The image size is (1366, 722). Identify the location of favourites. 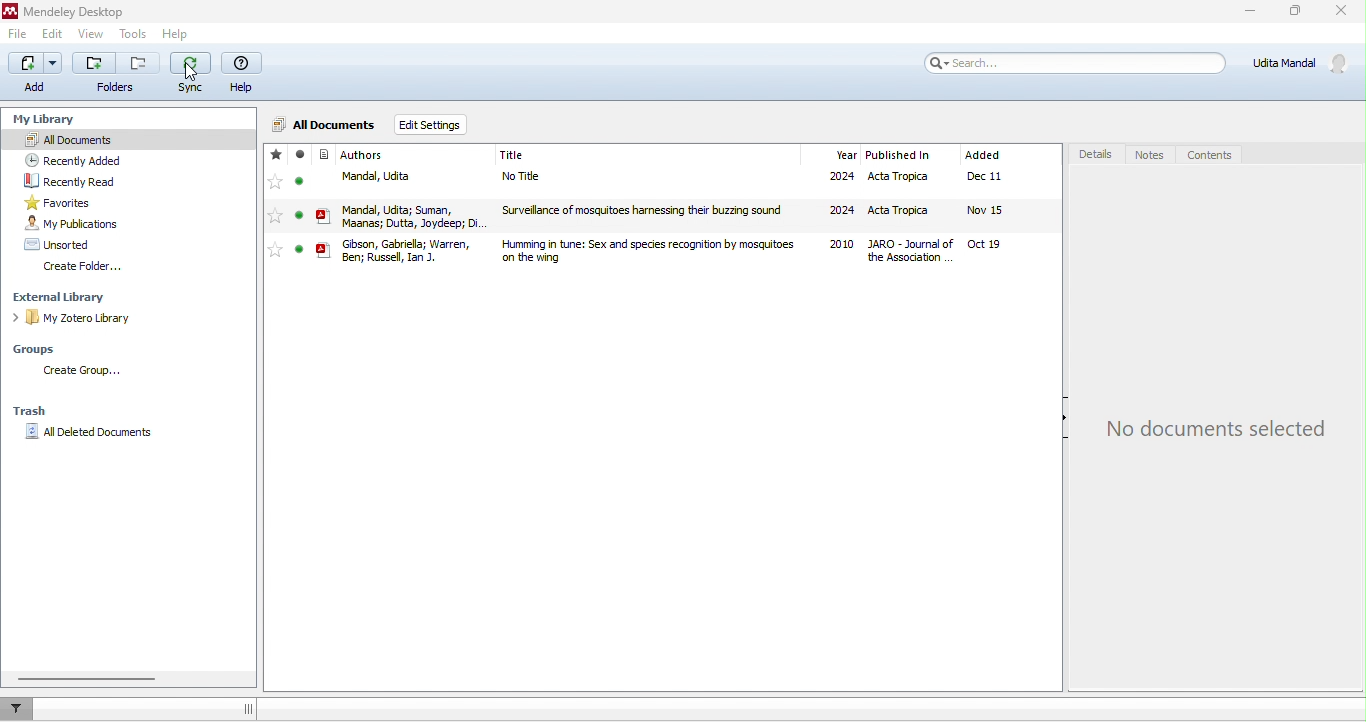
(96, 201).